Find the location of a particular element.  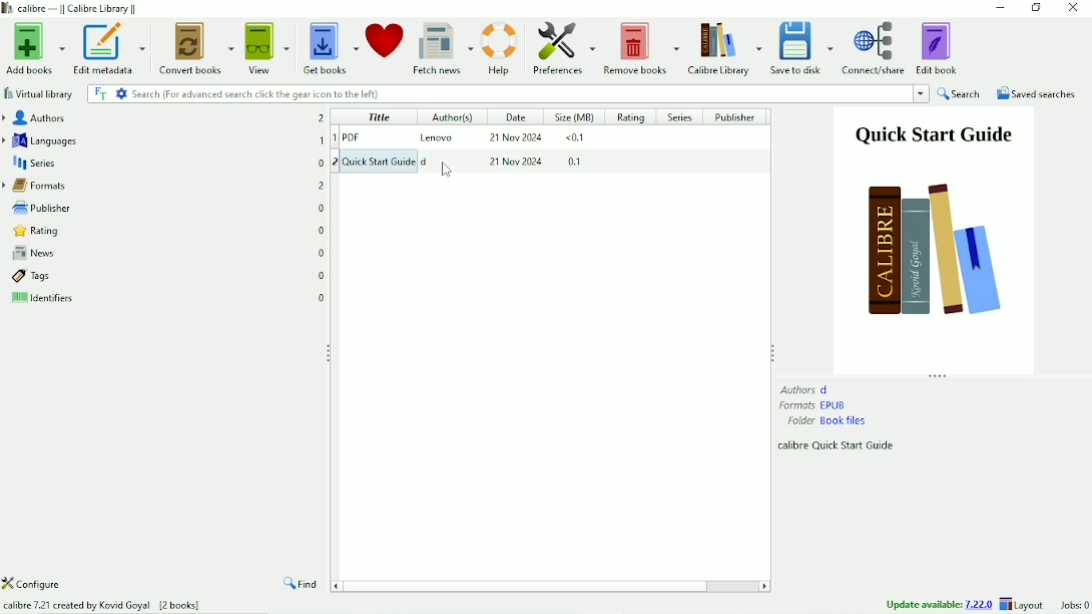

Rating is located at coordinates (631, 118).